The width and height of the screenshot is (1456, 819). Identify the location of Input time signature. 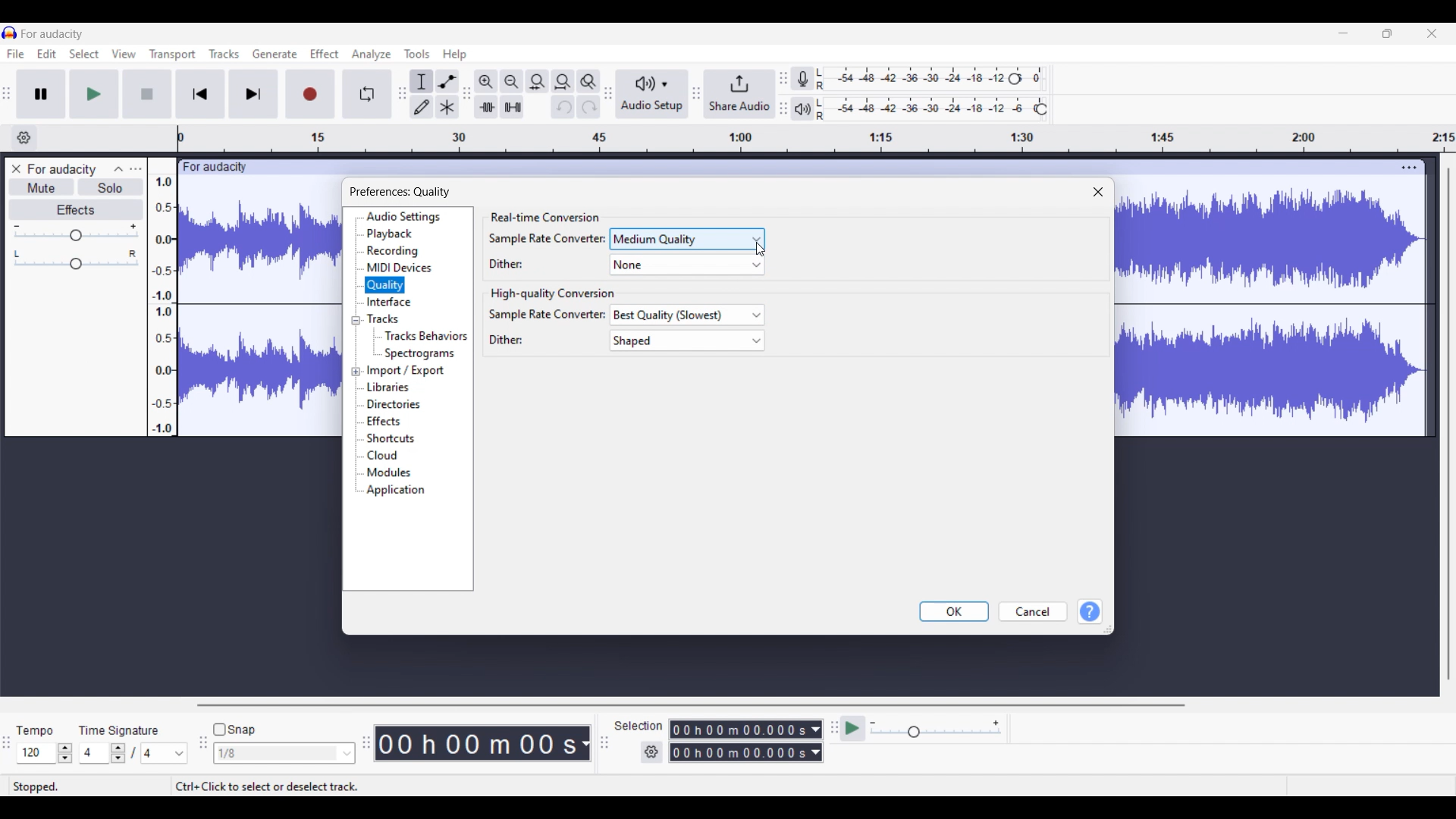
(94, 753).